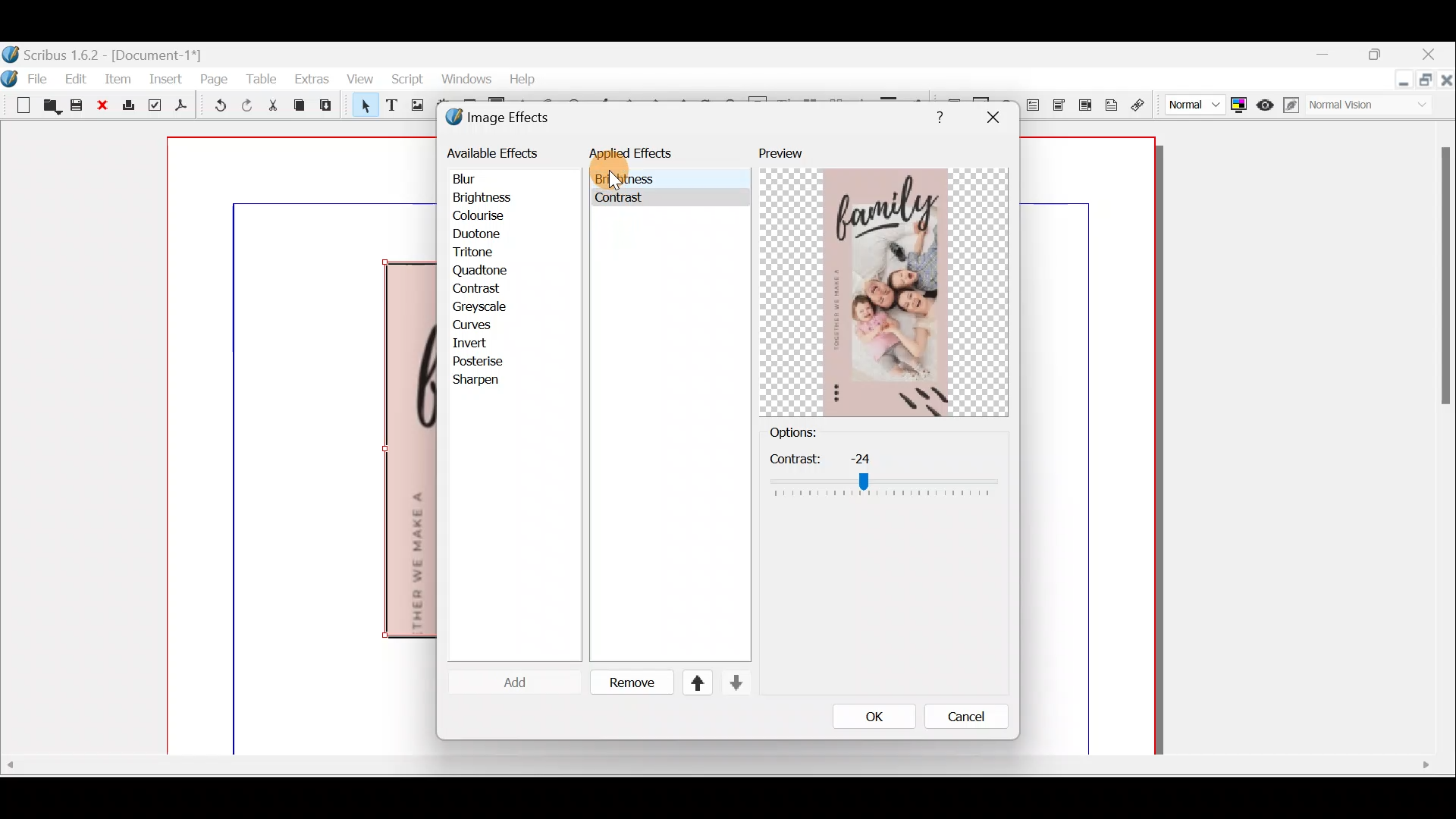 Image resolution: width=1456 pixels, height=819 pixels. I want to click on Quatone, so click(480, 271).